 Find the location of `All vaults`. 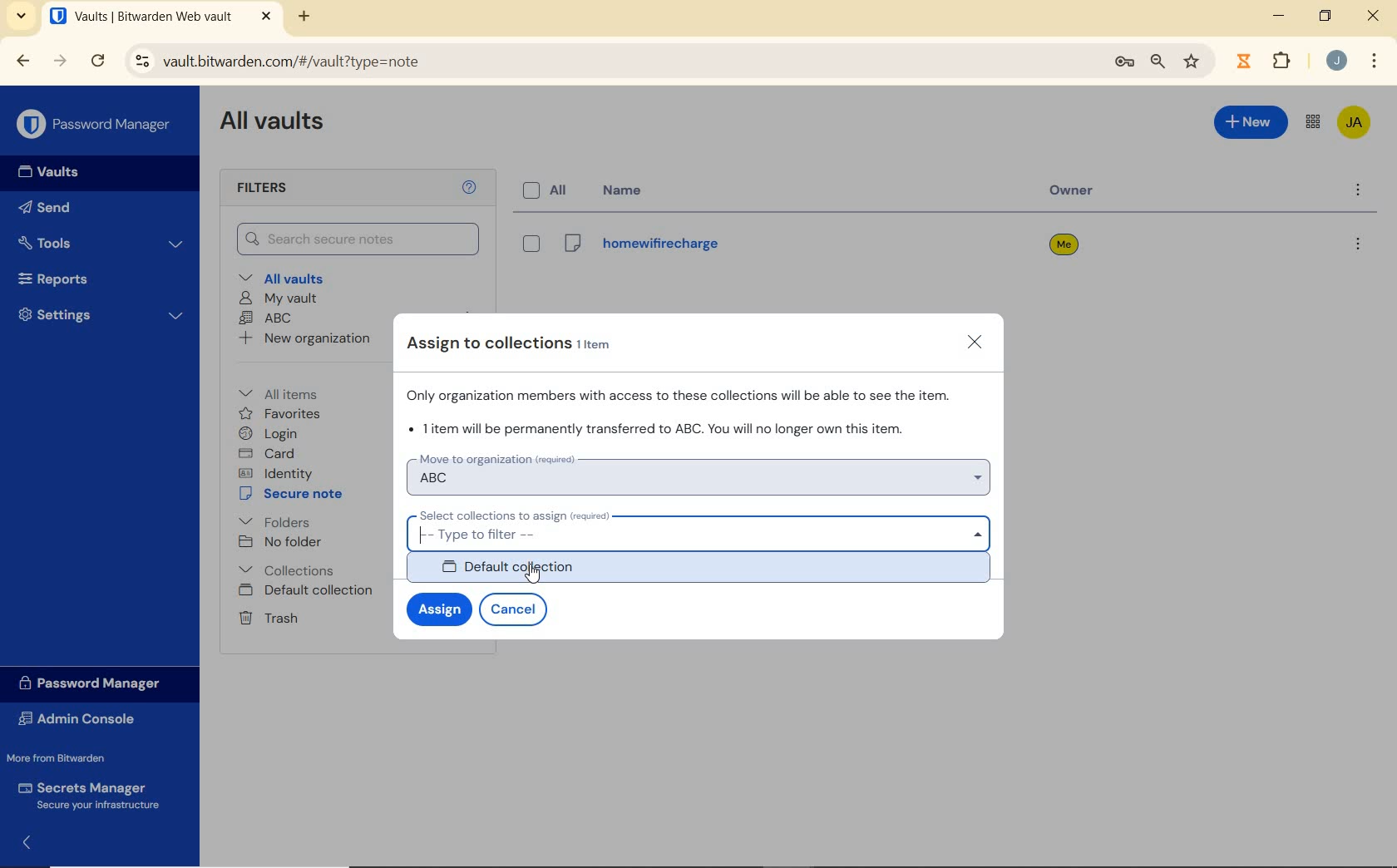

All vaults is located at coordinates (284, 277).